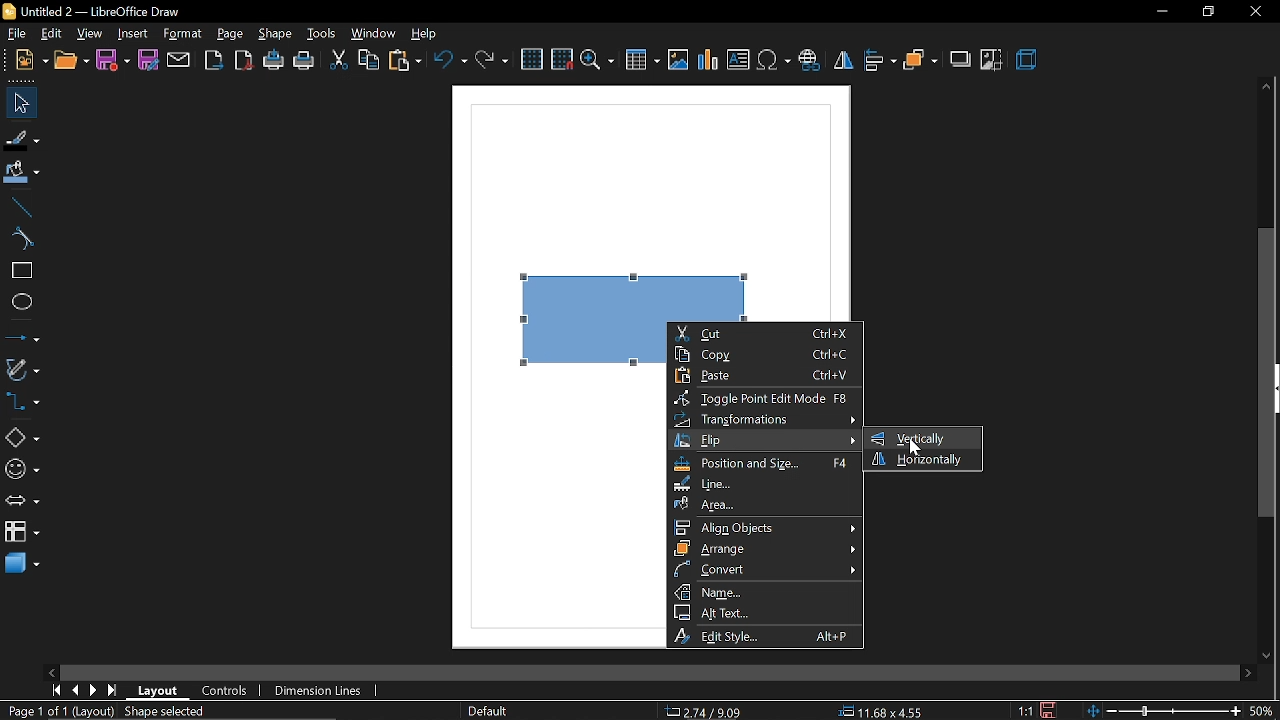  What do you see at coordinates (370, 61) in the screenshot?
I see `copy` at bounding box center [370, 61].